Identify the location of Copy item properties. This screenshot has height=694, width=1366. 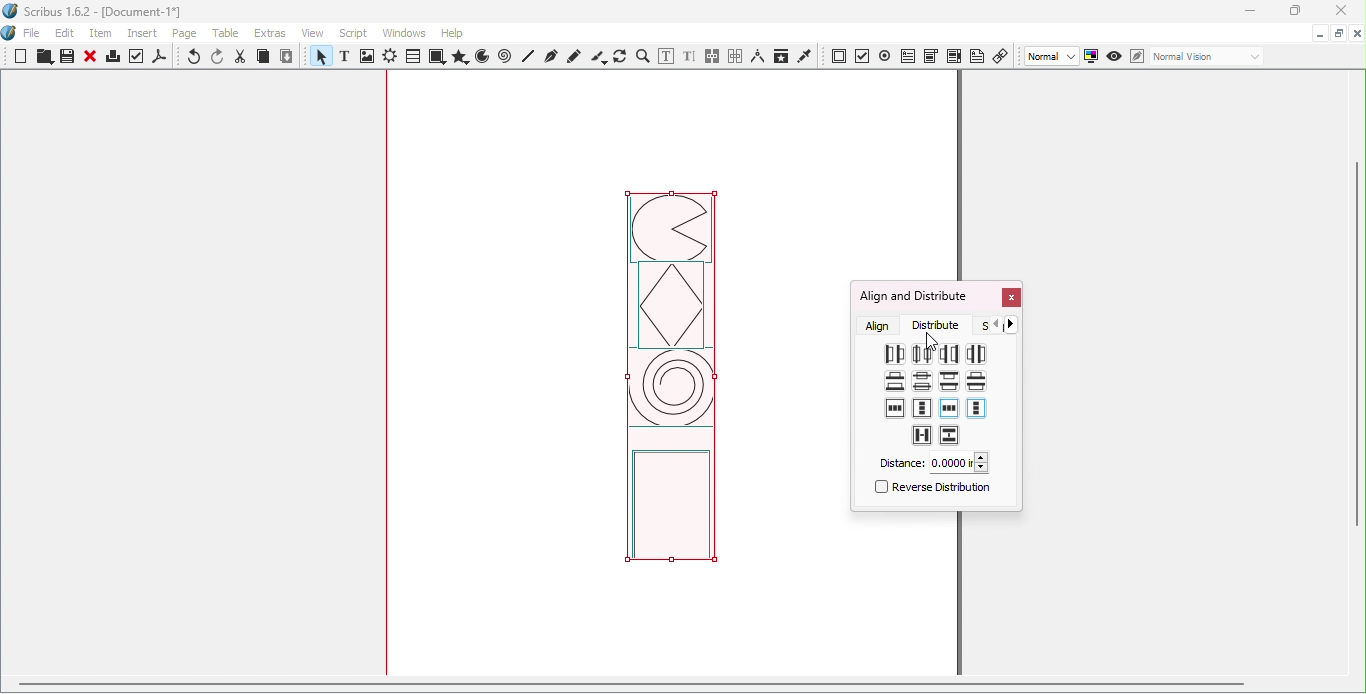
(780, 56).